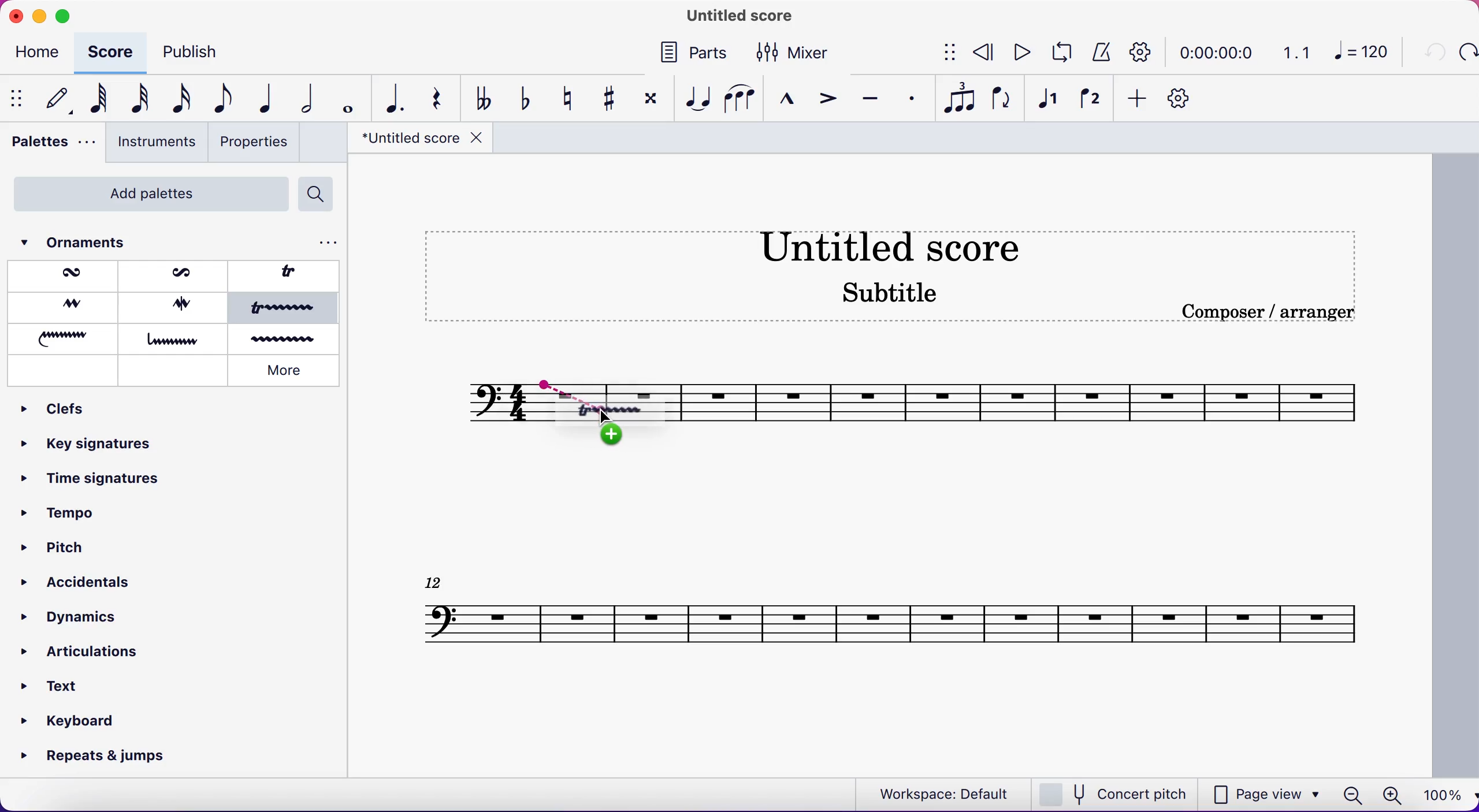 The image size is (1479, 812). Describe the element at coordinates (1100, 53) in the screenshot. I see `metronome` at that location.